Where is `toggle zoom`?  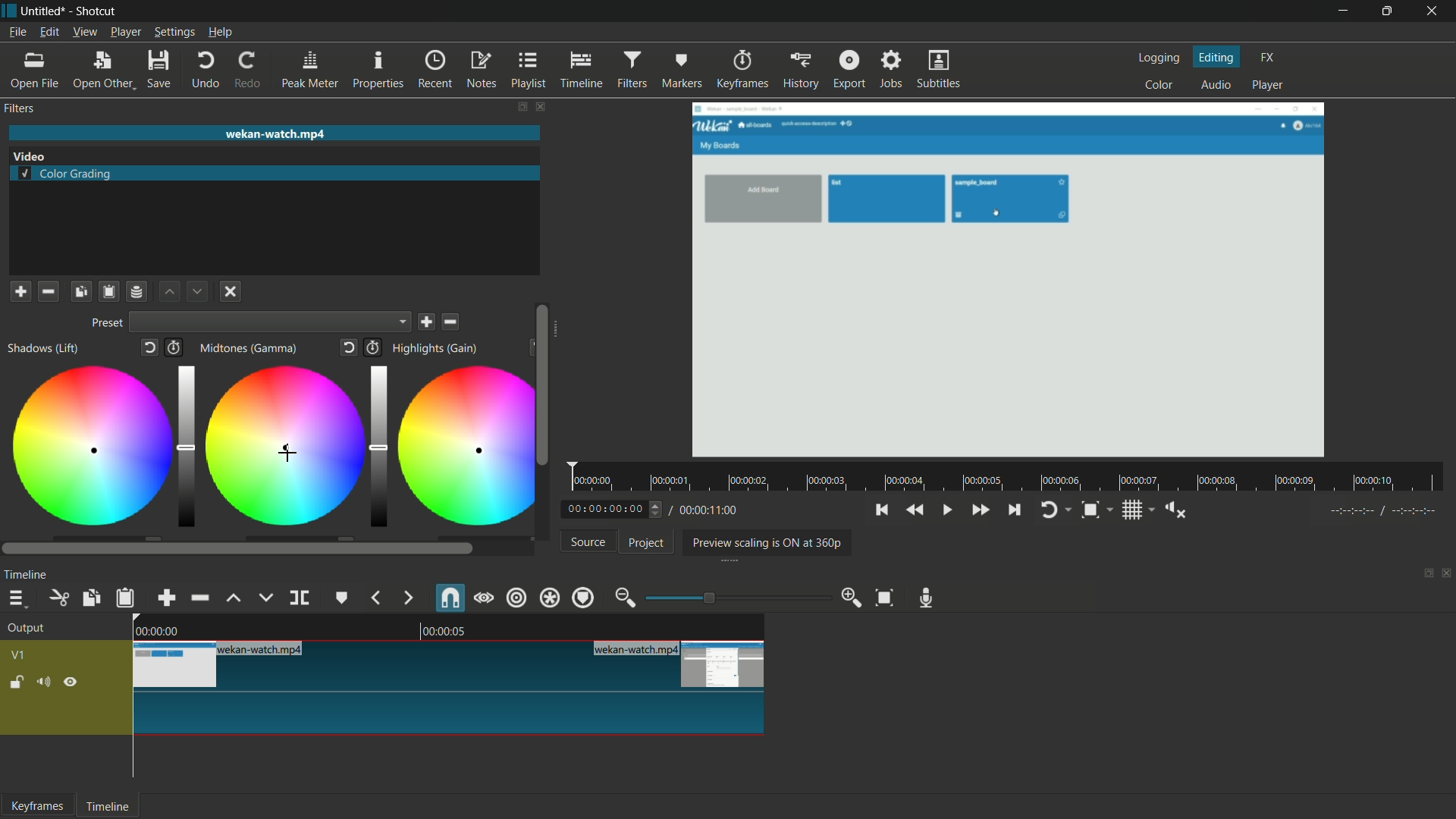 toggle zoom is located at coordinates (1095, 510).